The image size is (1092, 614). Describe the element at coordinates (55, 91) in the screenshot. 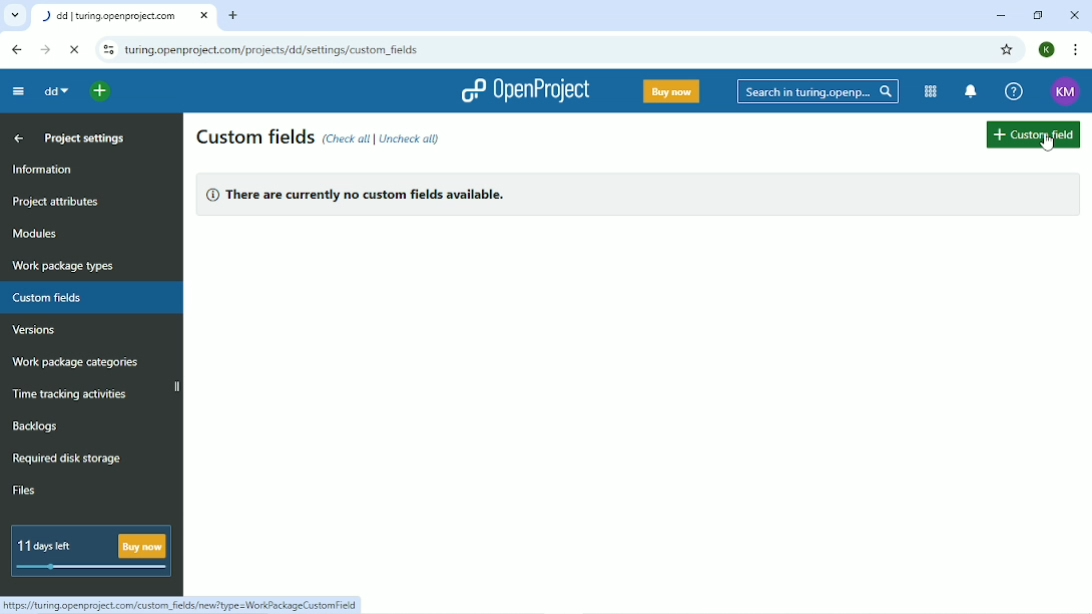

I see `dd` at that location.